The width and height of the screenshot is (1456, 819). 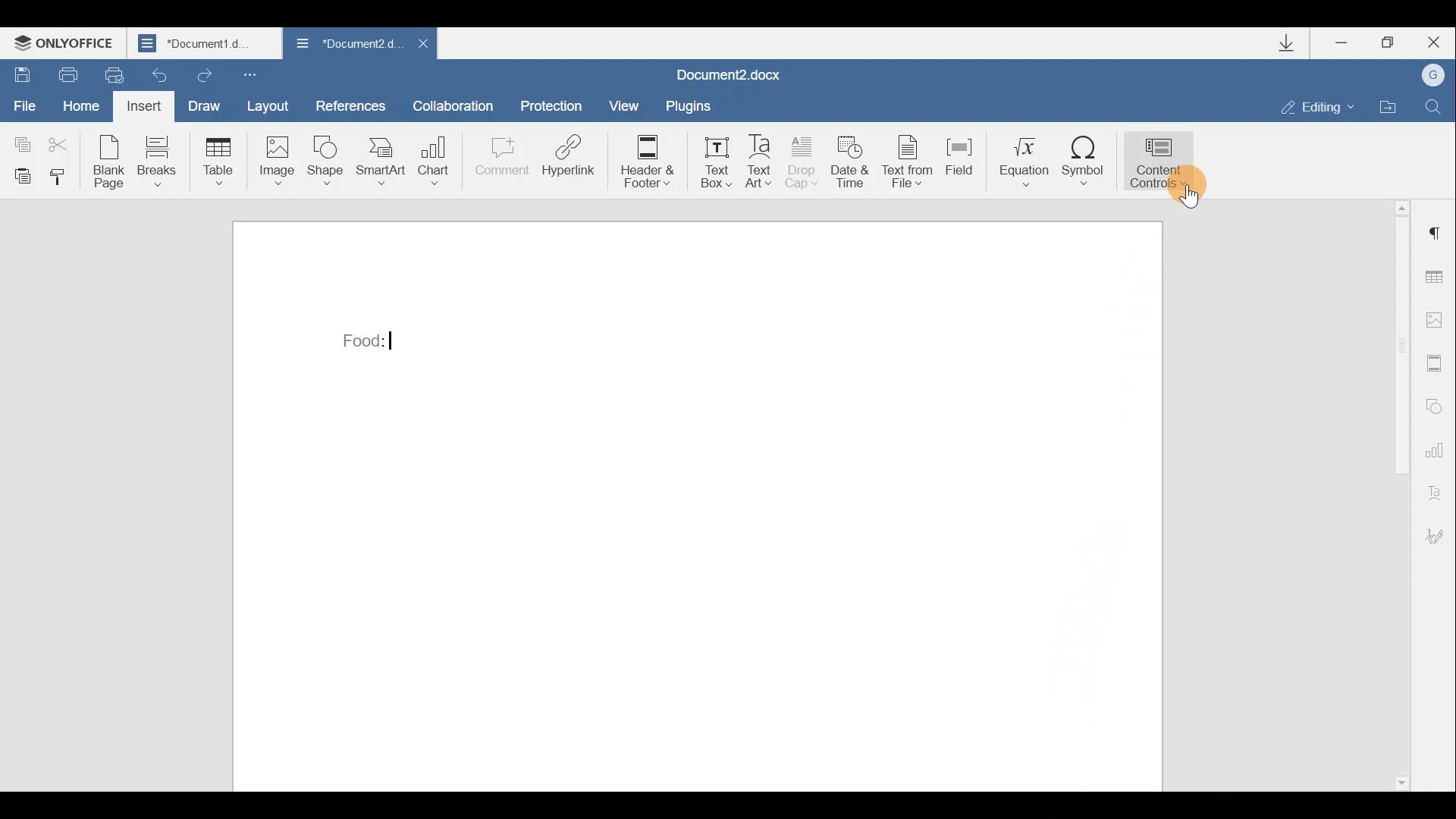 I want to click on Cut, so click(x=67, y=142).